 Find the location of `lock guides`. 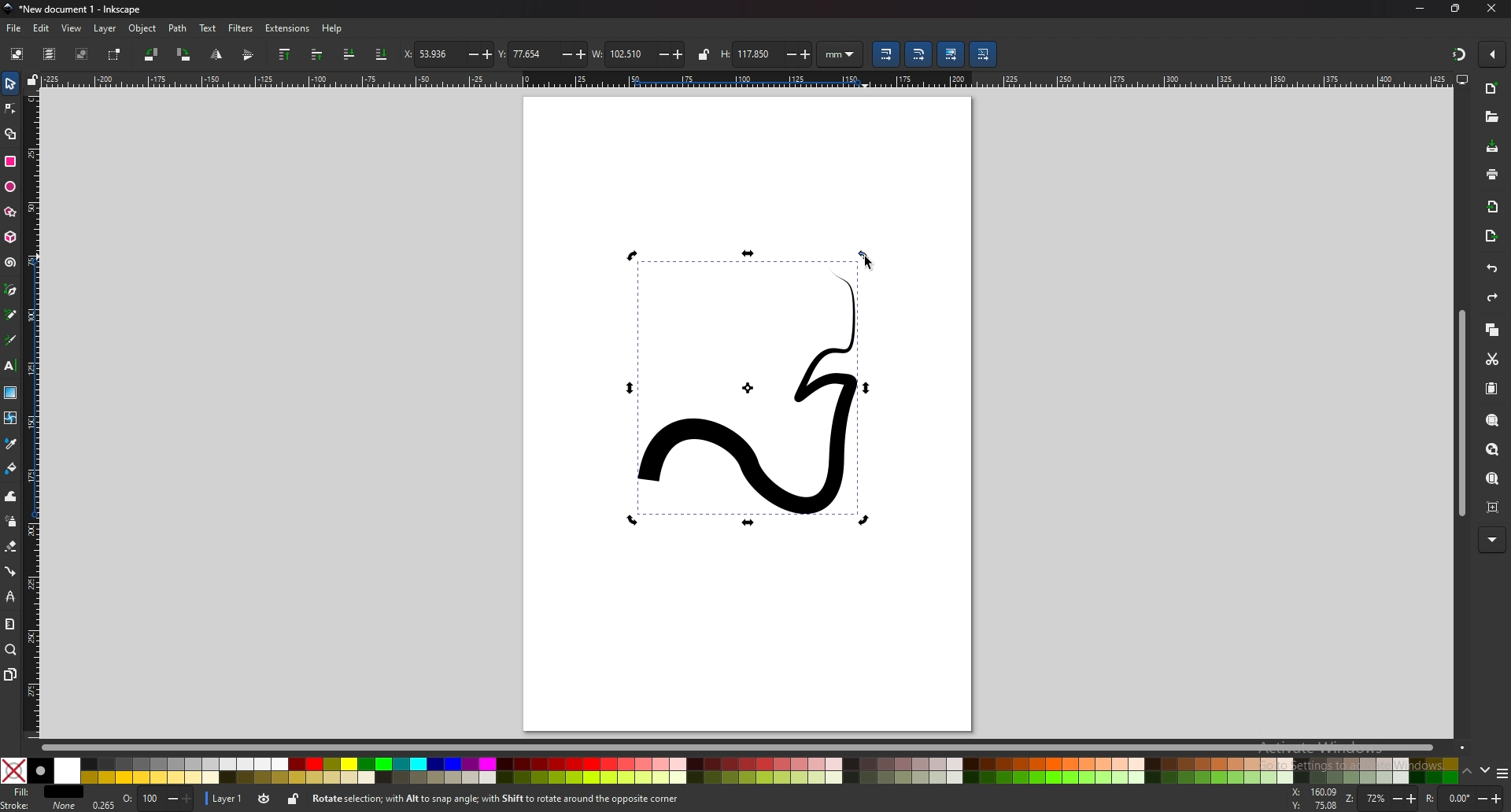

lock guides is located at coordinates (32, 80).